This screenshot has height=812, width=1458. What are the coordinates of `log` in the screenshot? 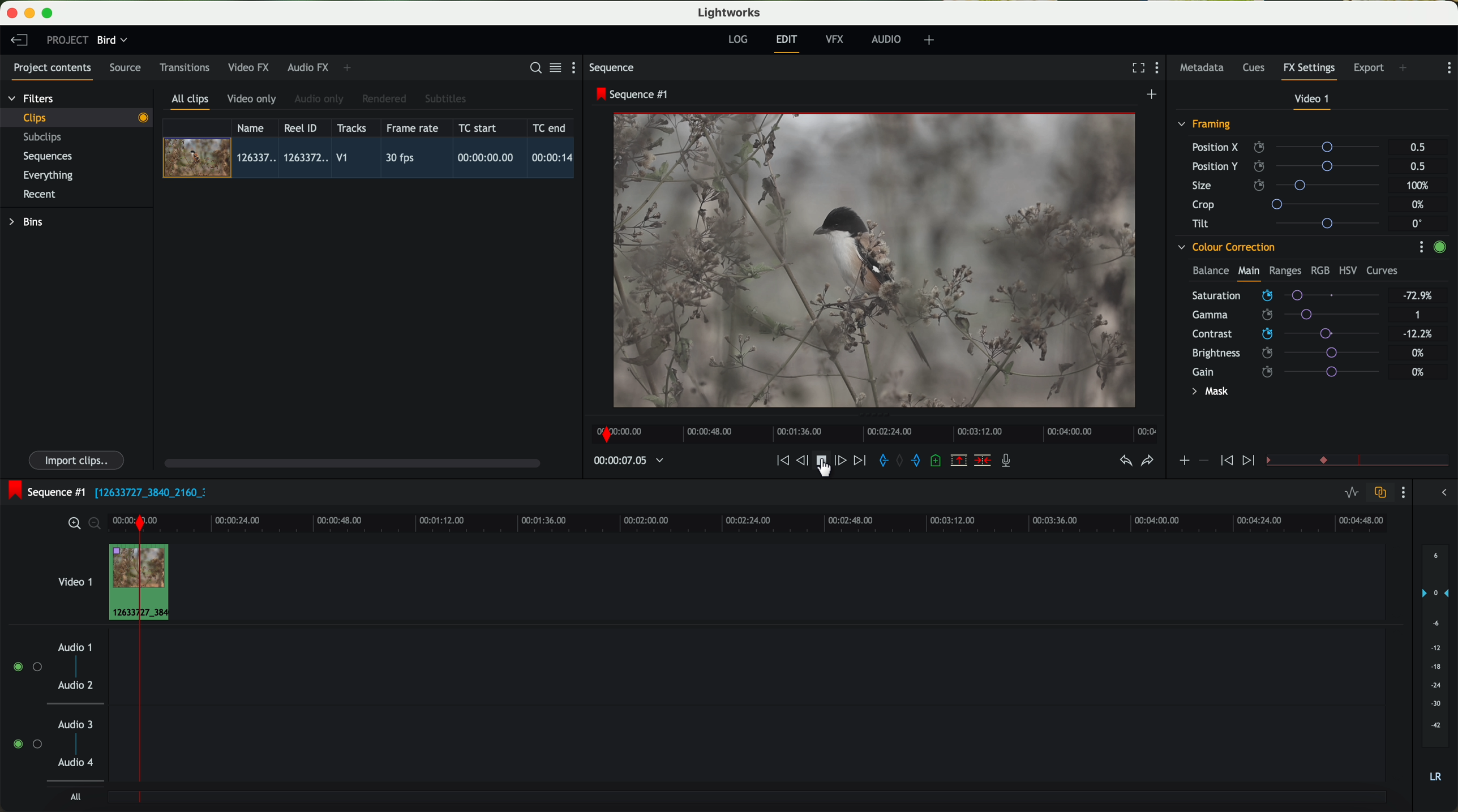 It's located at (737, 40).